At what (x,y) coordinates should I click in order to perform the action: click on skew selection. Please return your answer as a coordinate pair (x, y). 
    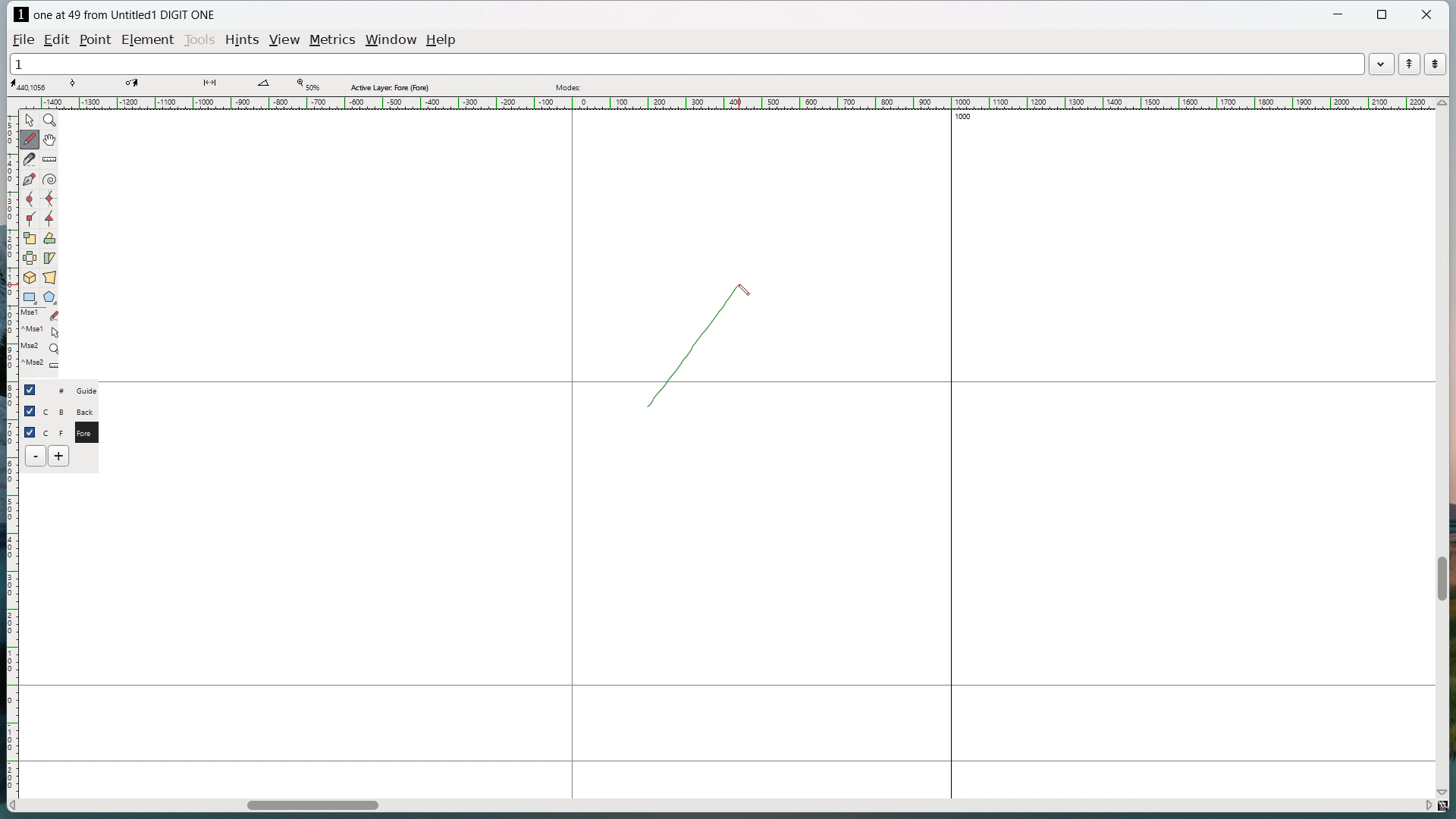
    Looking at the image, I should click on (50, 258).